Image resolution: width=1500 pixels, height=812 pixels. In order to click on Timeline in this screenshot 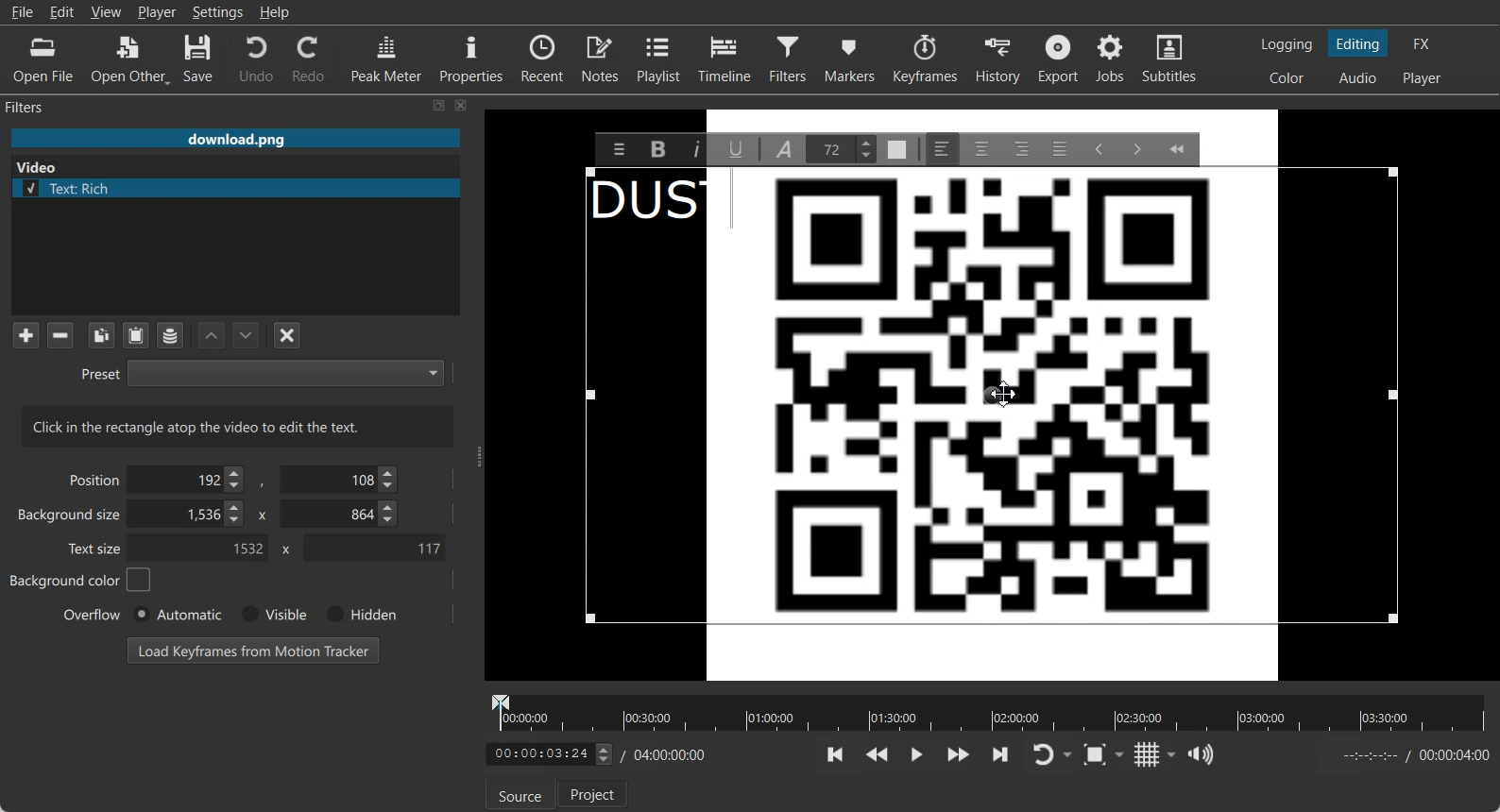, I will do `click(725, 58)`.